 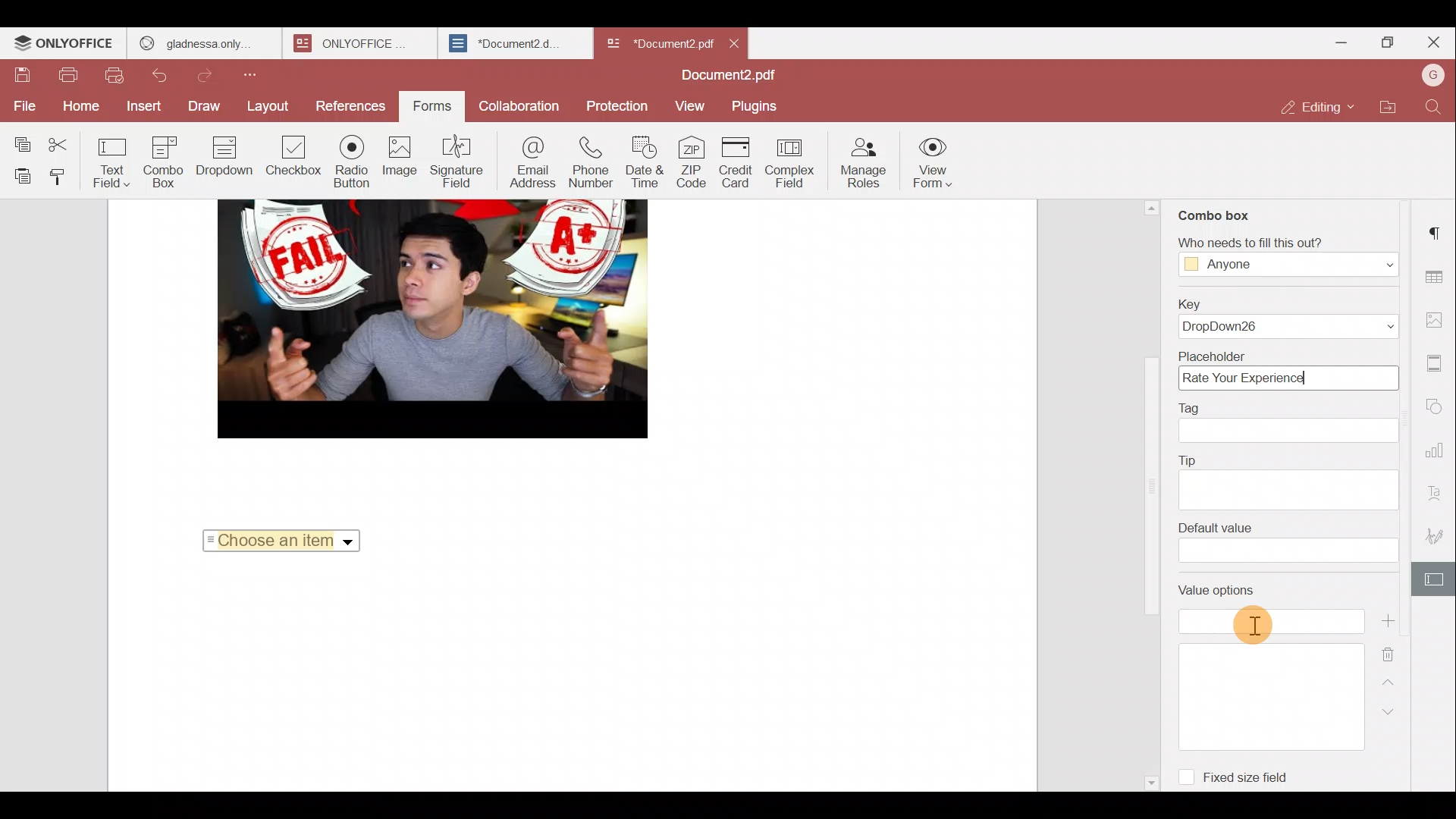 I want to click on Text field, so click(x=117, y=165).